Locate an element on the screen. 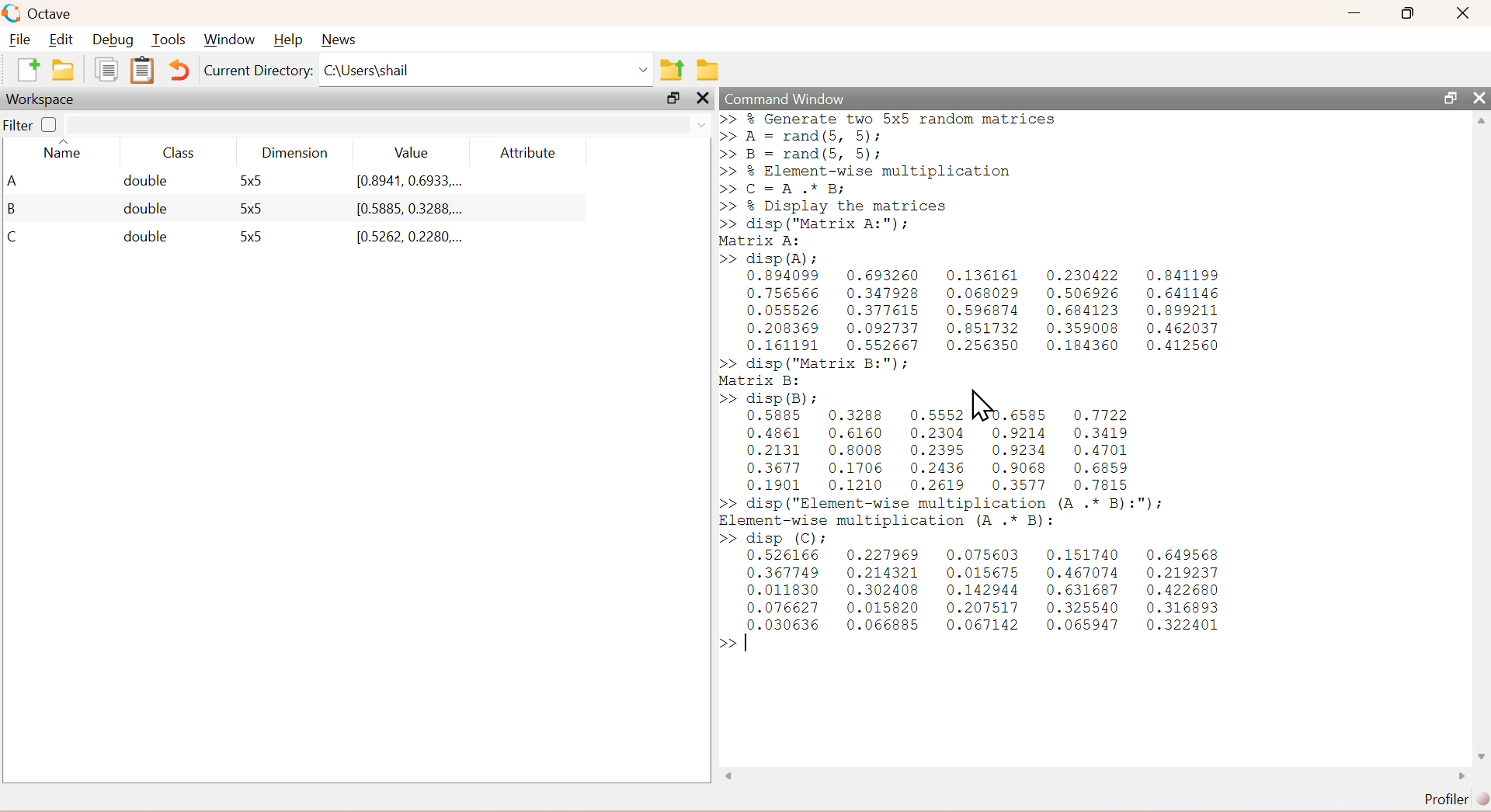 The image size is (1491, 812). >> % Generate two 5x5 random matrices

>> A = rand(5, 5);

>> B = rand(5, 5);

>> % Element-wise multiplication

>> C=A.* B;

>> % Display the matrices

>> disp ("Matrix A:");

Matrix A:

>> disp (BR);
0.894099 0.693260 0.136161 0.230422 0.841199
0.756566 0.347928 0.068029 0.506926 0.641146
0.055526 0.377615 0.596874 0.684123 0.899211
0.208369 0.092737 0.851732 0.359008 0.462037
0.161191 0.552667 0.256350 0.184360 0.412560

>> disp ("Matrix B:");

Matrix B:

>> disp(B) NS
0.5885 0.3288 0.5552 .6585 0.7722
0.4861 0.6160 0.2304 0.9214 0.3419
0.2131 0.8008 0.2395 0.9234 0.4701
0.3677 0.1706 0.2436 0.9068 0.6859
0.1901 0.1210 0.2619 0.3577 0.7815

>> disp ("Element-wise multiplication (A .* B):");

Element-wise multiplication (A .* B):

>> disp (C):
0.526166 0.227969 0.075603 0.151740 0.649568
0.367749 0.214321 0.015675 0.467074 0.219237
0.011830 0.302408 0.142944 0.631687 0.422680
0.076627 0.015820 0.207517 0.325540 0.316893
proeese 0.066885 0.067142 0.065947 0.322401

>> is located at coordinates (997, 390).